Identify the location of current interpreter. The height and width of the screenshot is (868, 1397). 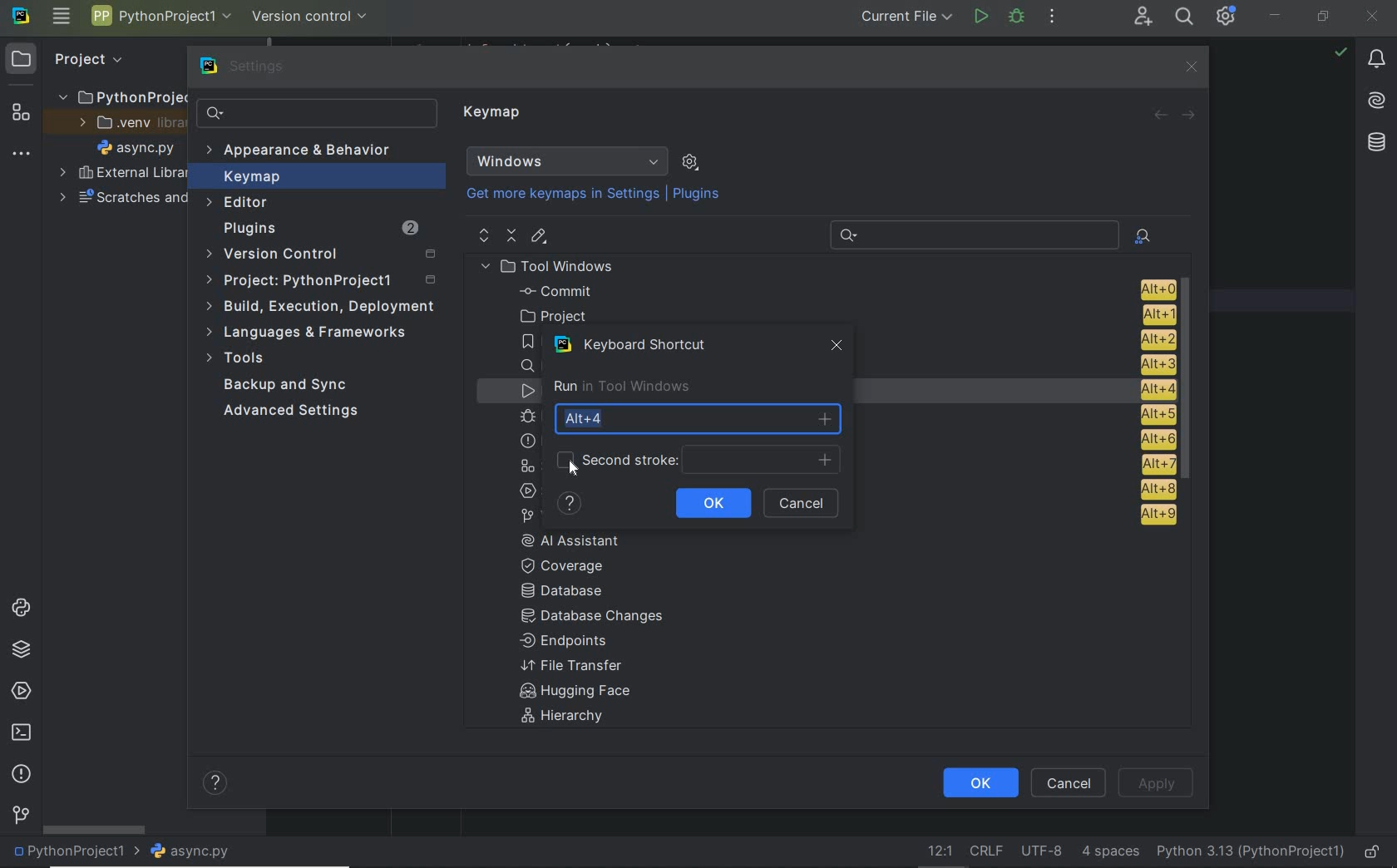
(1251, 853).